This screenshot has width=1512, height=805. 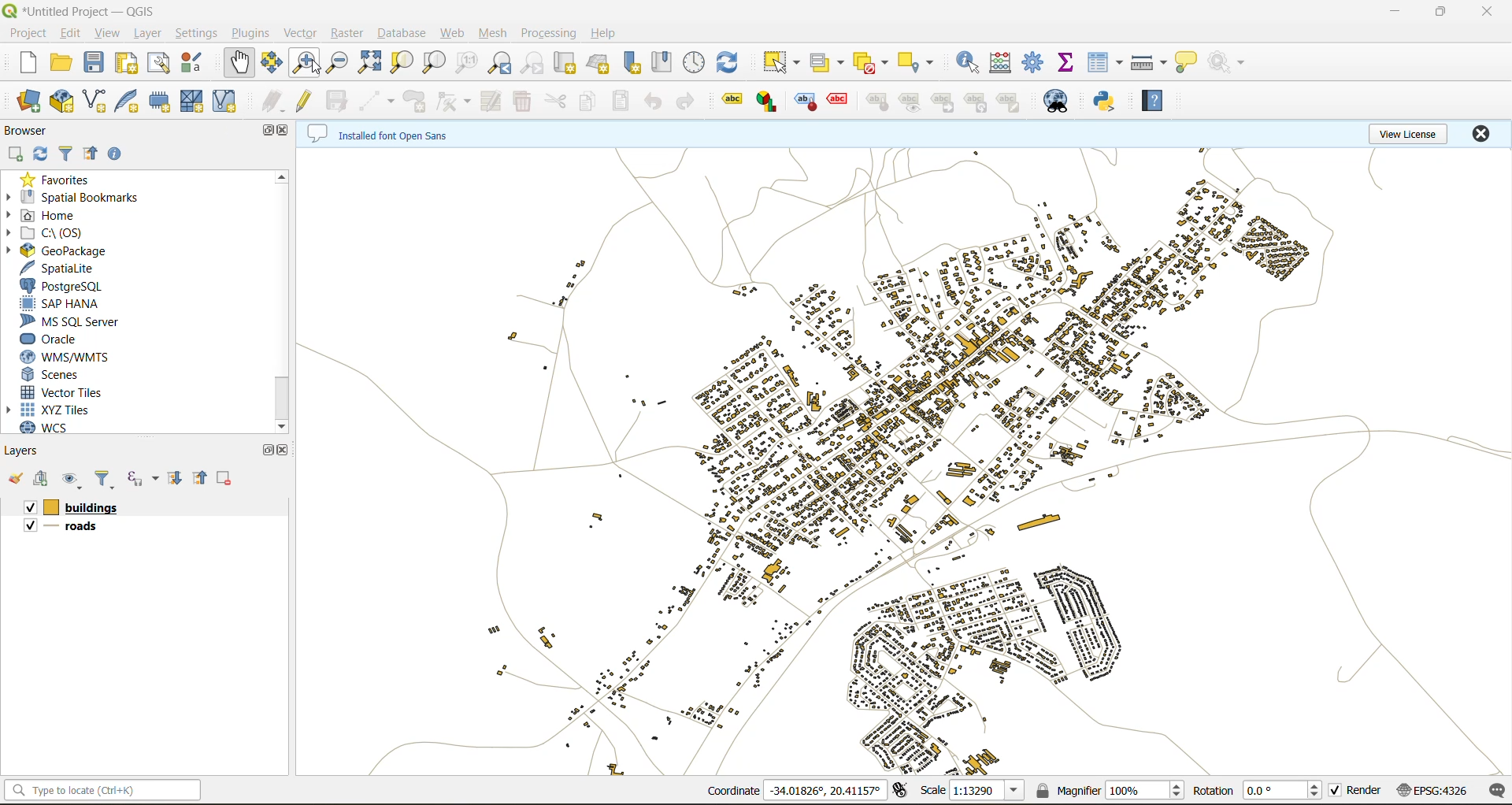 I want to click on help, so click(x=1152, y=100).